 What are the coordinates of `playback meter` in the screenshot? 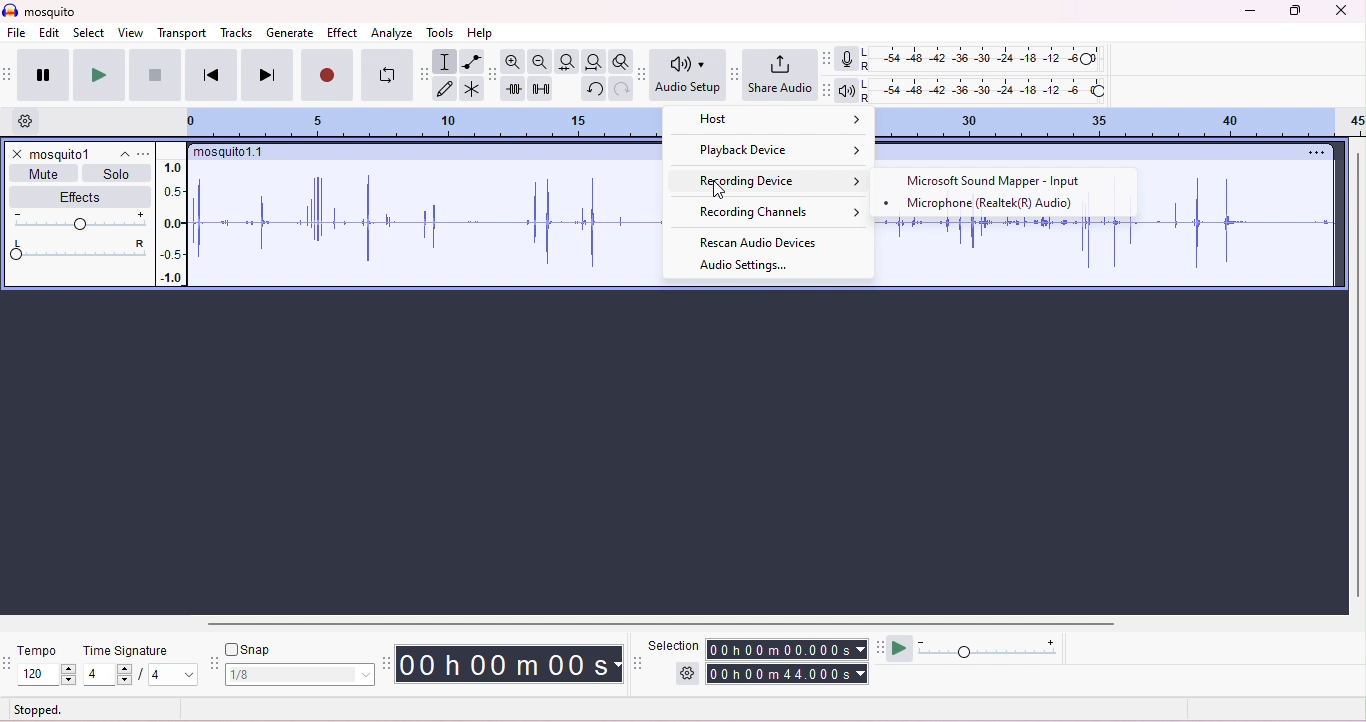 It's located at (846, 92).